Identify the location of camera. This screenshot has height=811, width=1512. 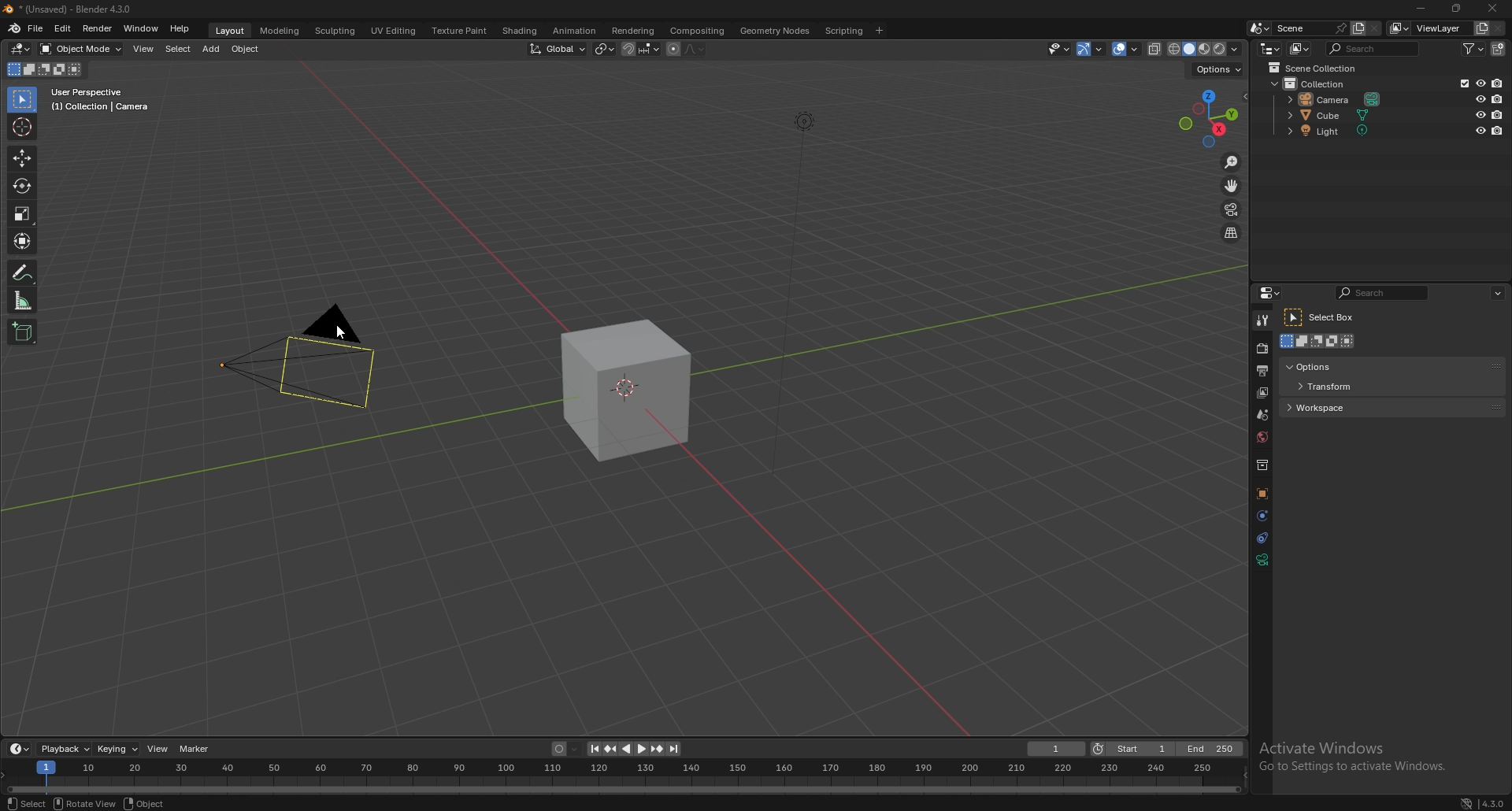
(1338, 98).